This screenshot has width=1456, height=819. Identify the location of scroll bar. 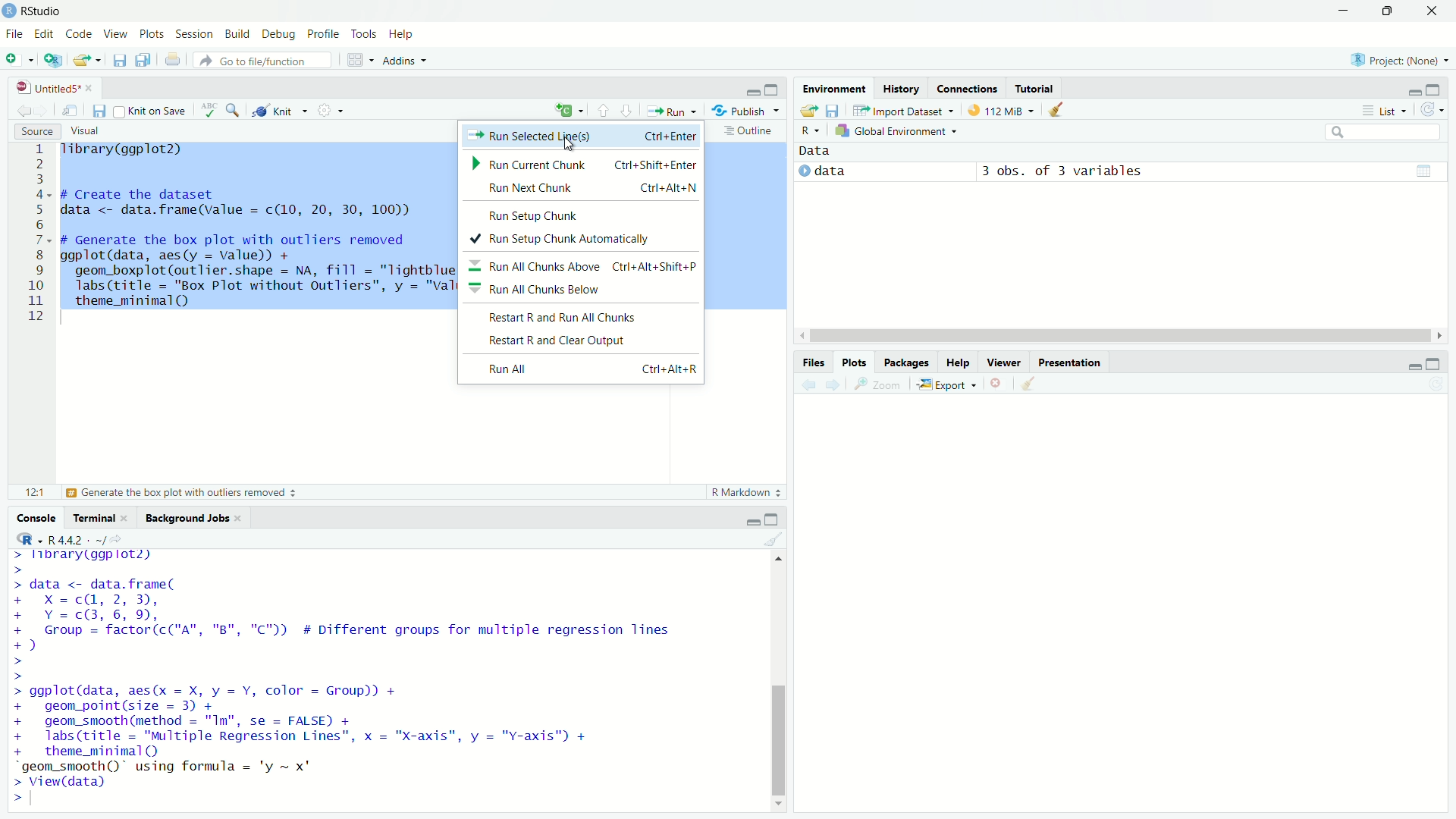
(778, 682).